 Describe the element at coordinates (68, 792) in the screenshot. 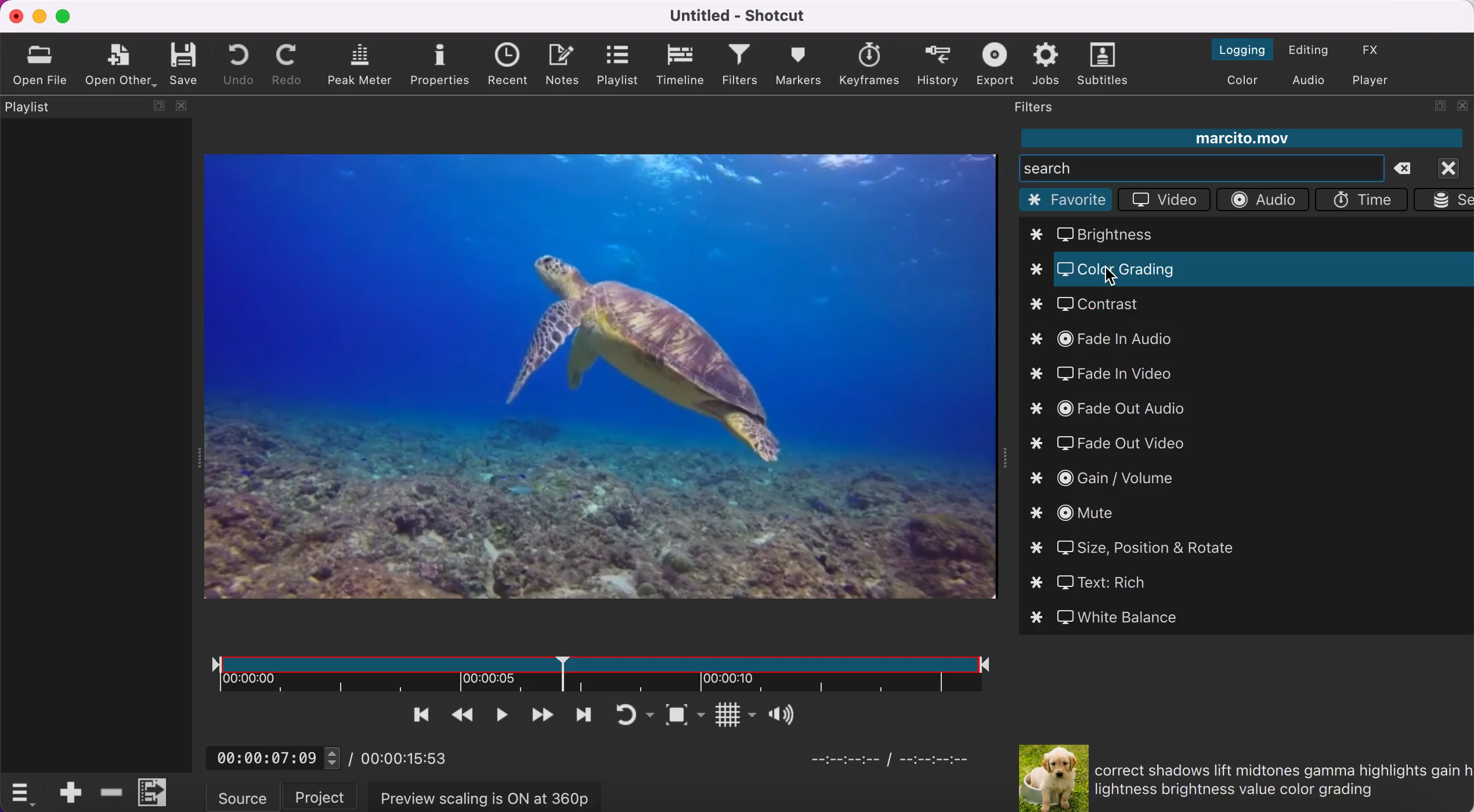

I see `append` at that location.